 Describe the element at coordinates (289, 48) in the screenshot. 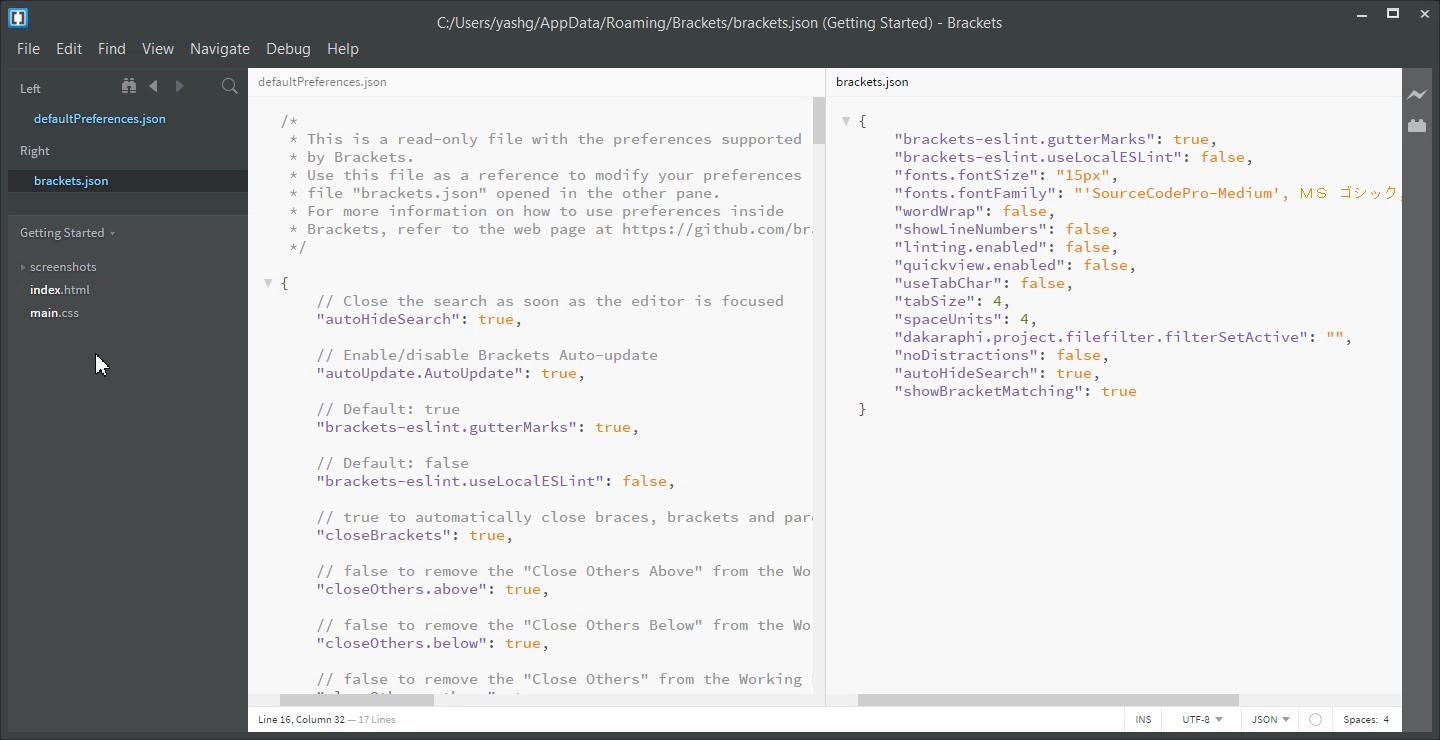

I see `Debug` at that location.